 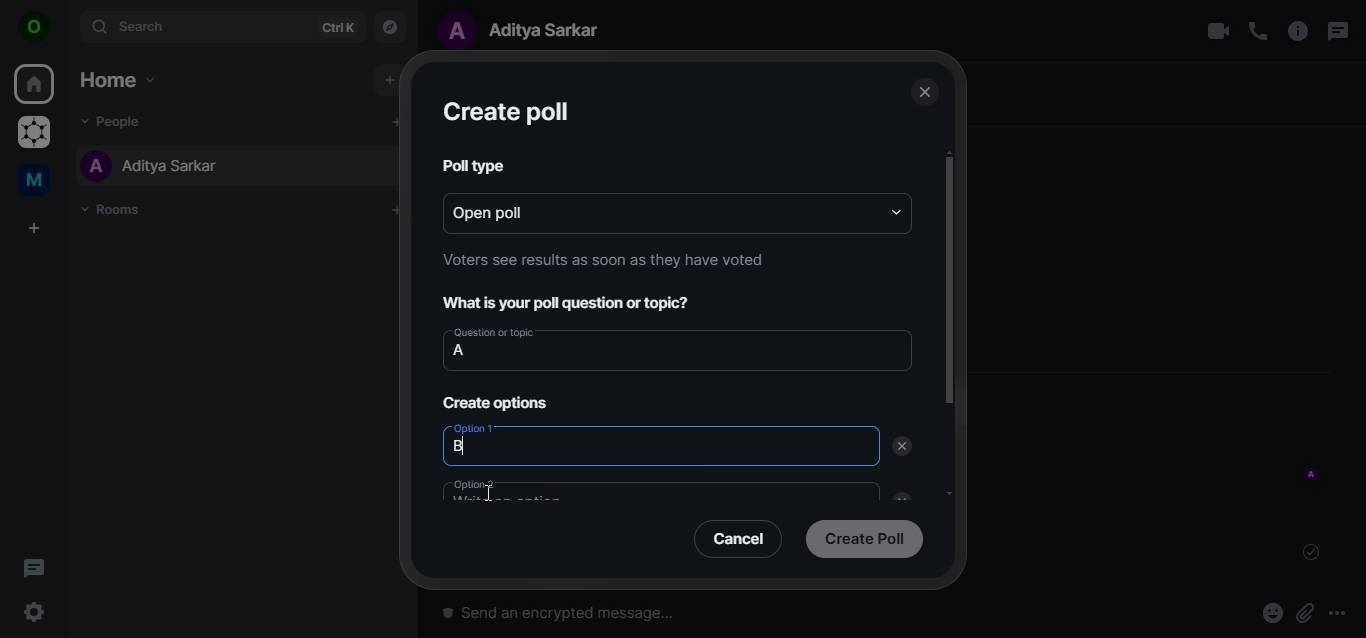 What do you see at coordinates (1313, 475) in the screenshot?
I see `message sent by ` at bounding box center [1313, 475].